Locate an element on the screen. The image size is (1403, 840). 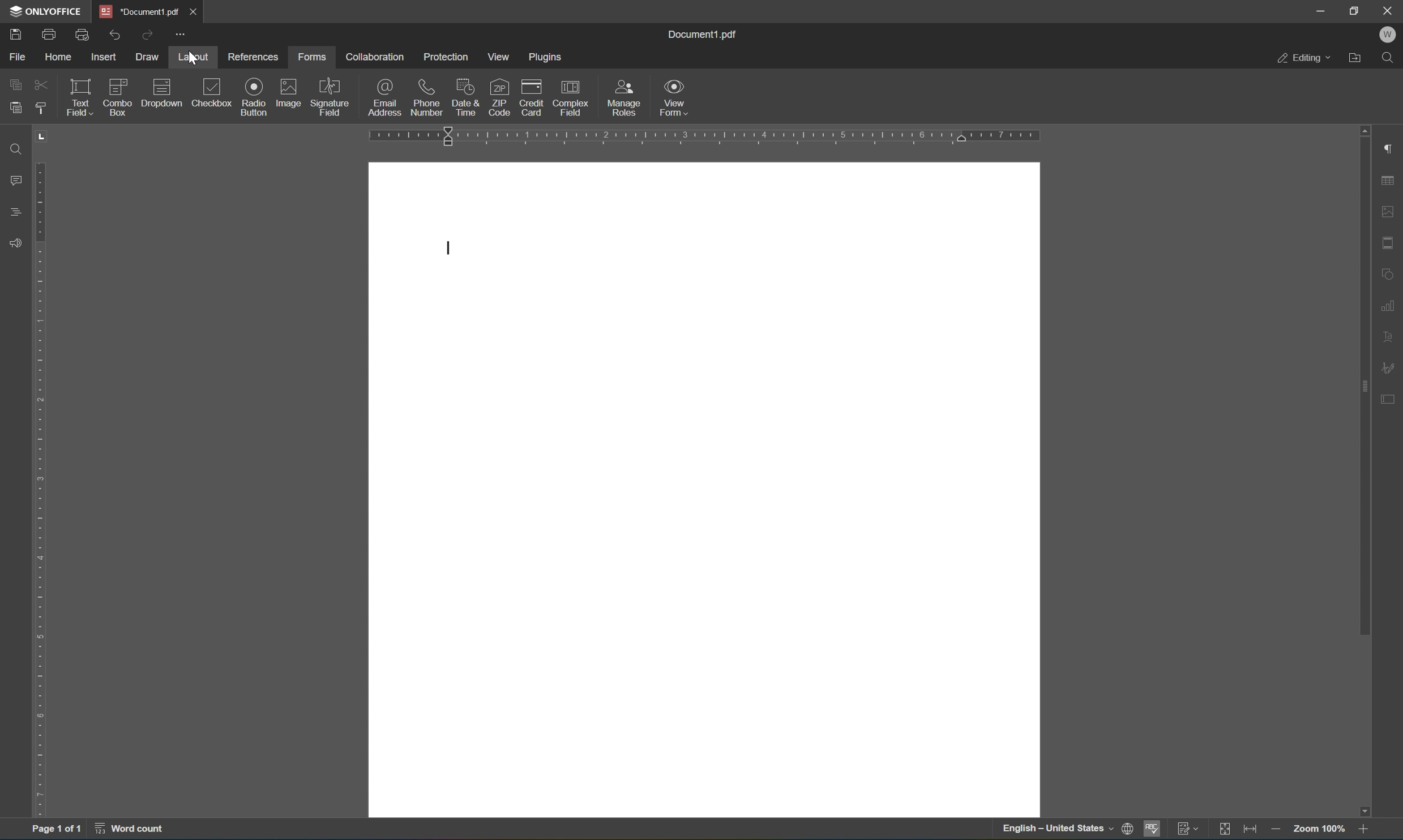
shape settings is located at coordinates (1391, 274).